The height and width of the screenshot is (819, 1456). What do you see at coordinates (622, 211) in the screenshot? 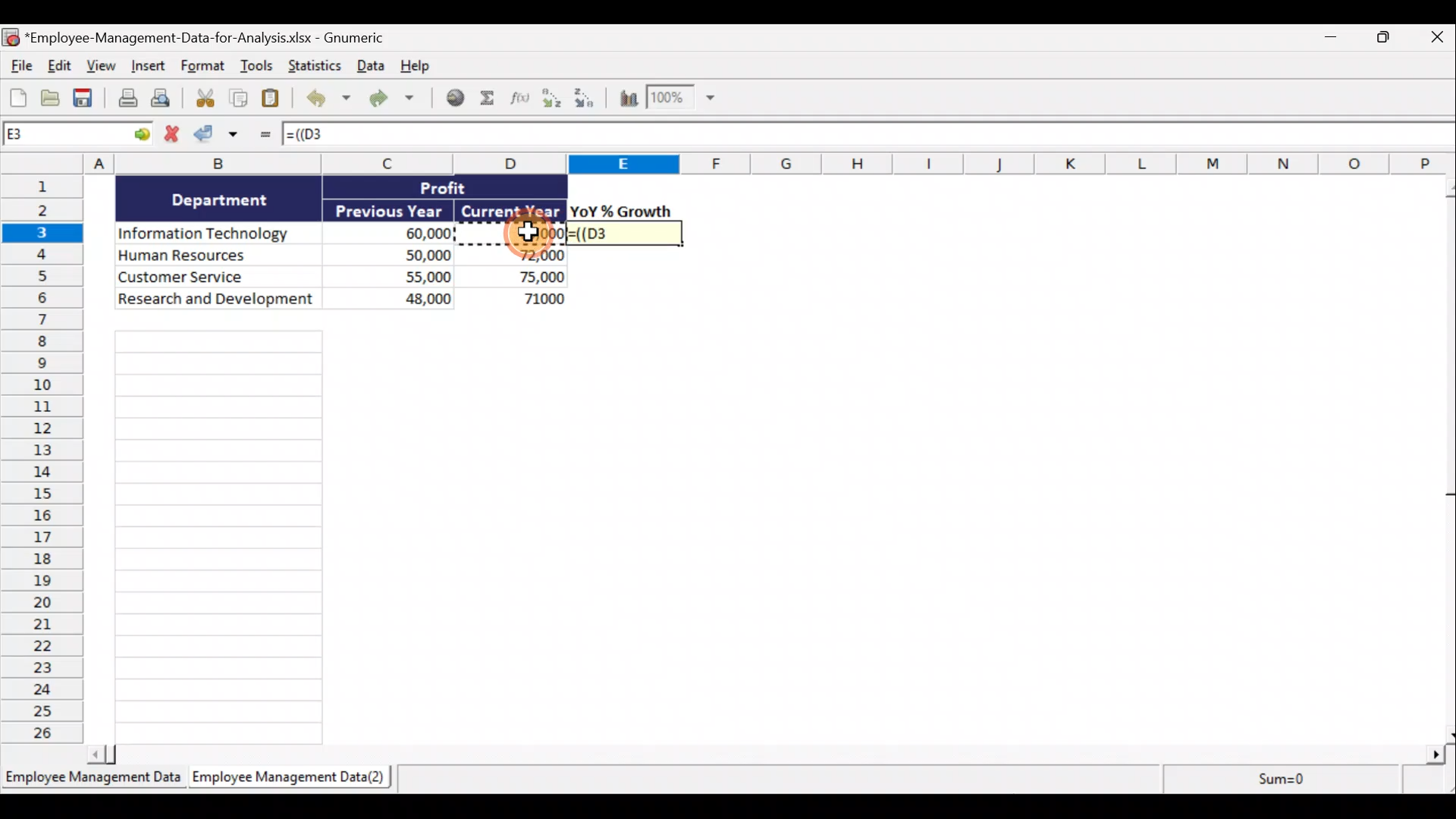
I see `YoY% Growth` at bounding box center [622, 211].